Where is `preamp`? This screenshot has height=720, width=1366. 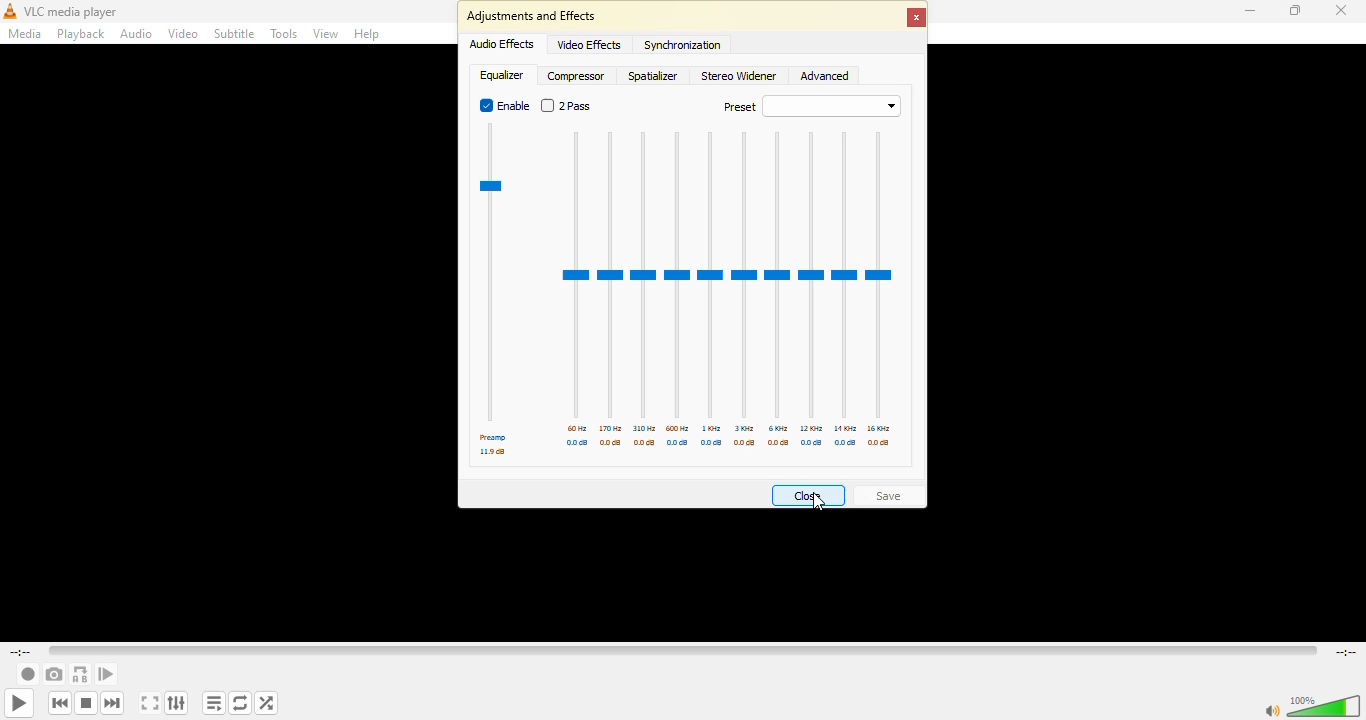
preamp is located at coordinates (493, 438).